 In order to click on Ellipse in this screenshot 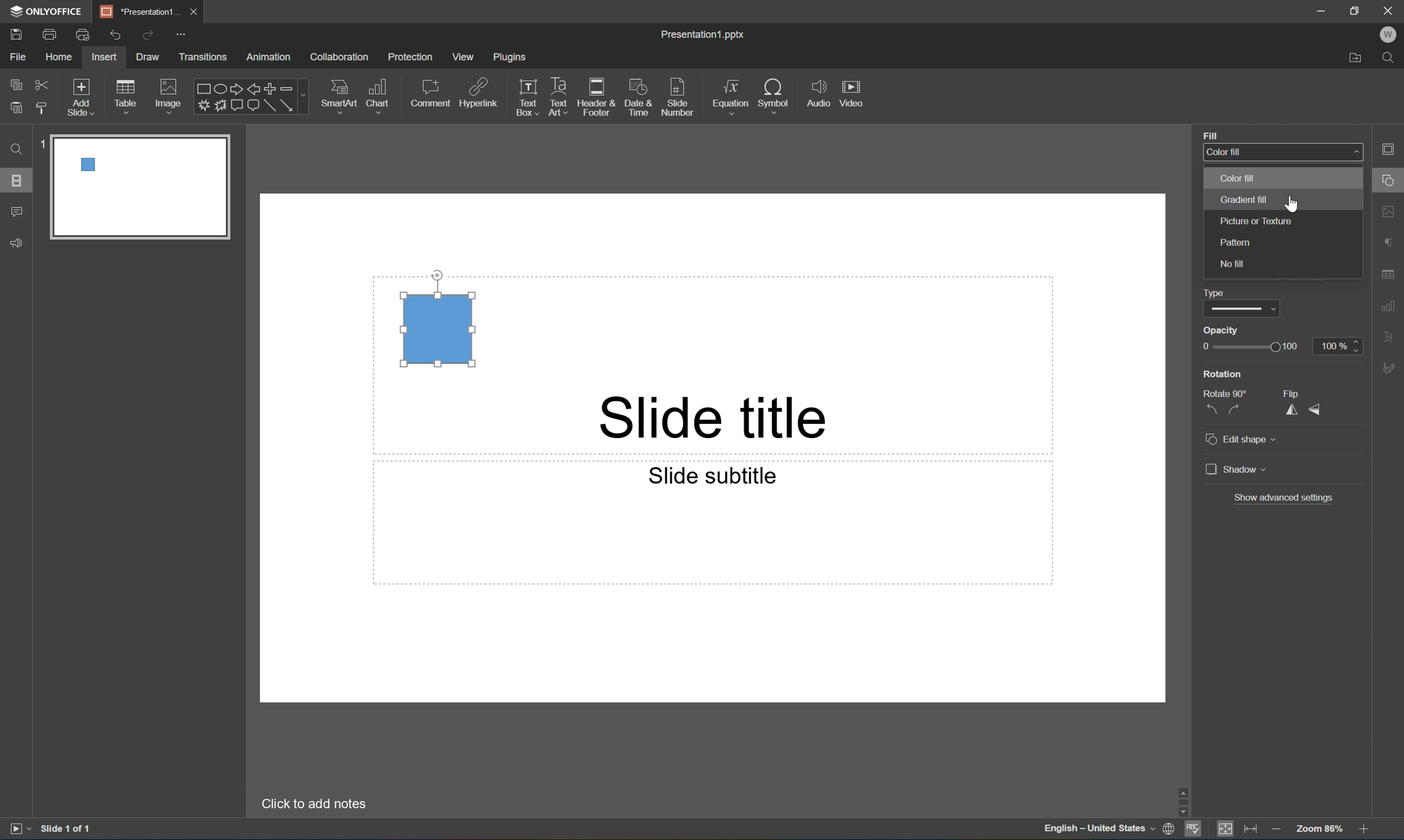, I will do `click(219, 90)`.